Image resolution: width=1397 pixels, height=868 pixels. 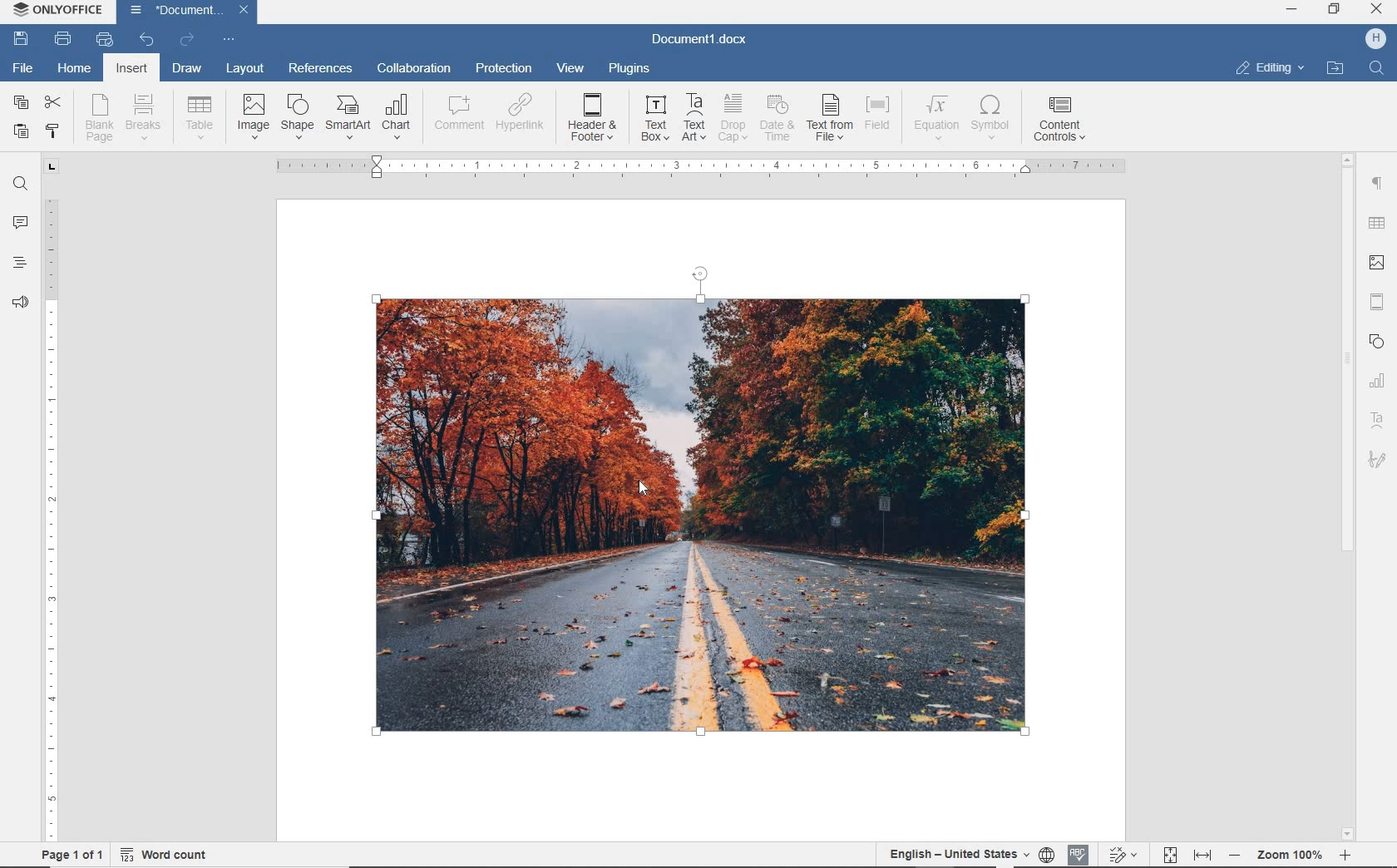 I want to click on TextArt, so click(x=694, y=120).